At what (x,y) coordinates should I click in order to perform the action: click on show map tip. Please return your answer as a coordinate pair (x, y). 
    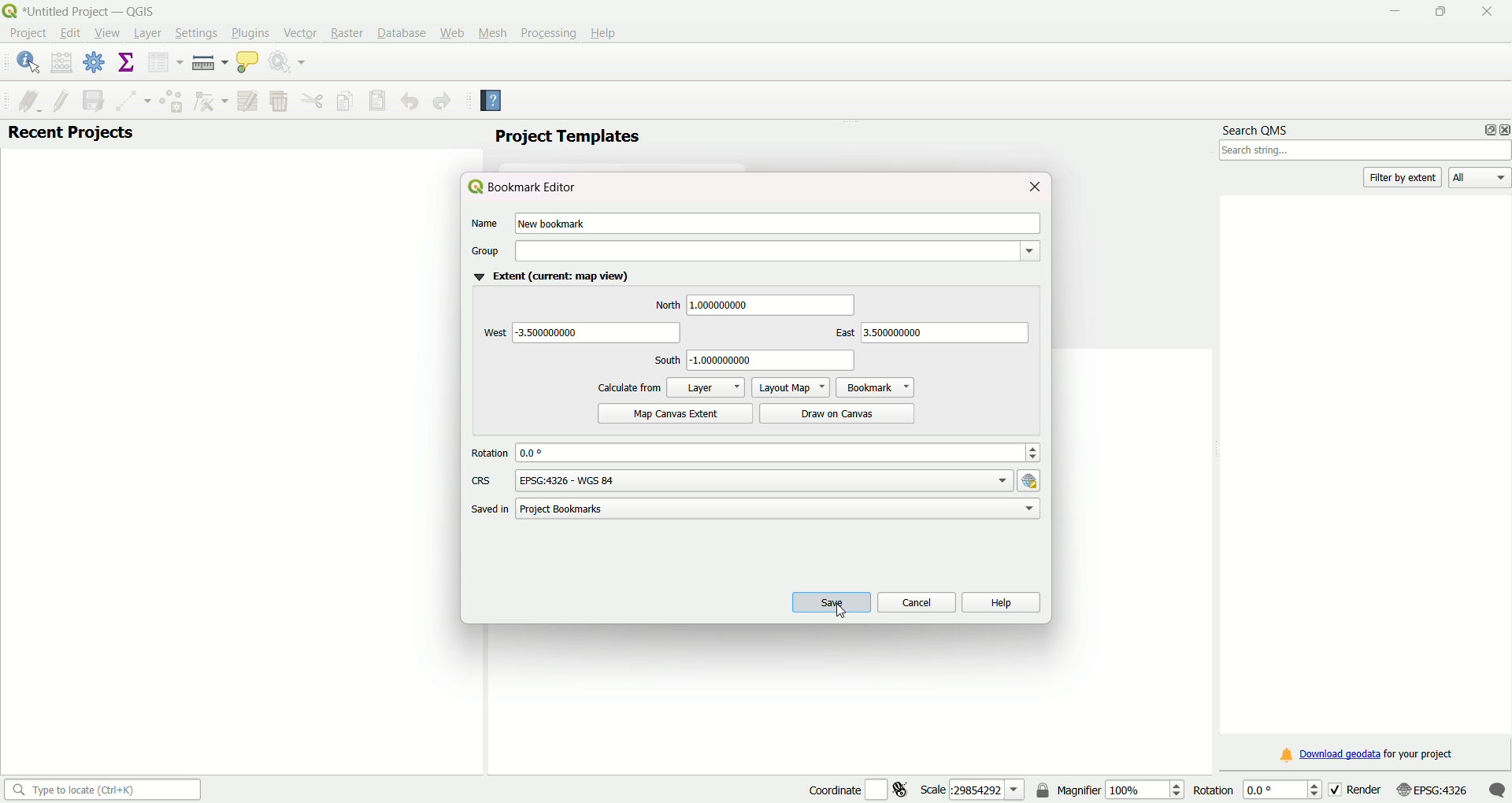
    Looking at the image, I should click on (247, 64).